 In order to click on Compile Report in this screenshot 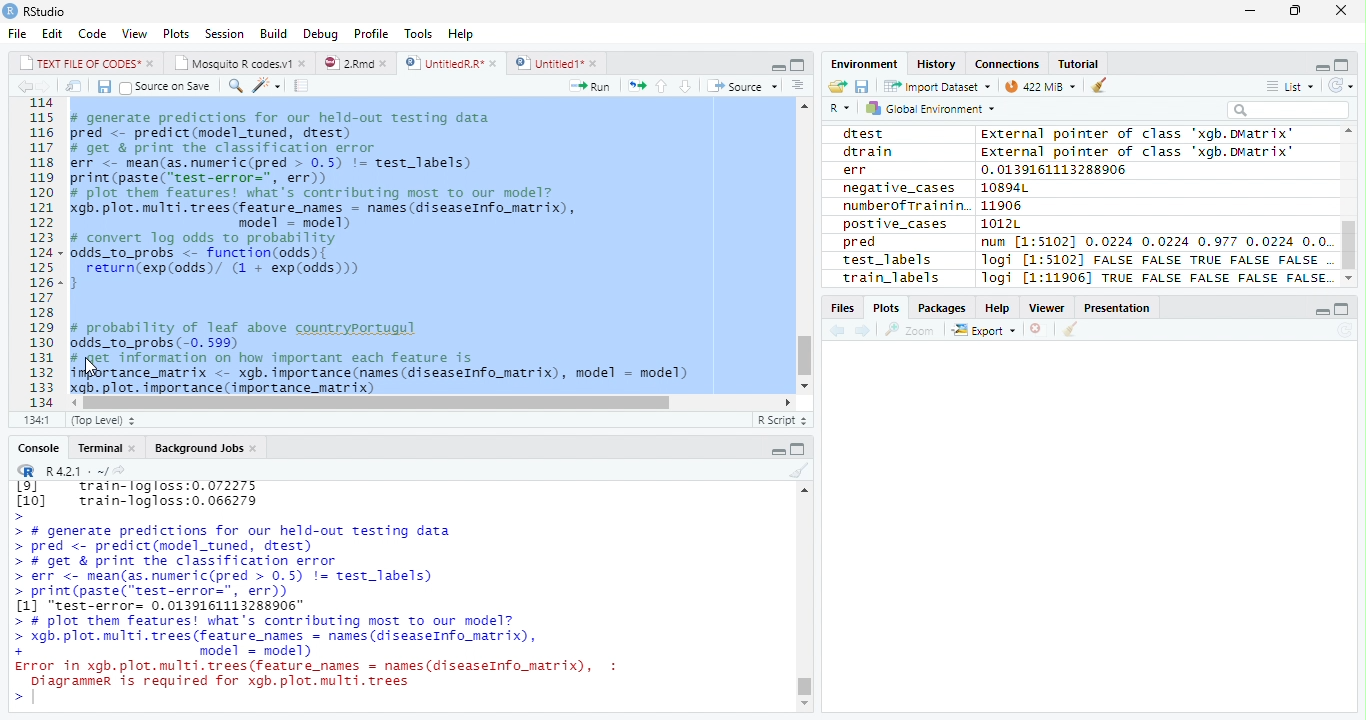, I will do `click(301, 85)`.